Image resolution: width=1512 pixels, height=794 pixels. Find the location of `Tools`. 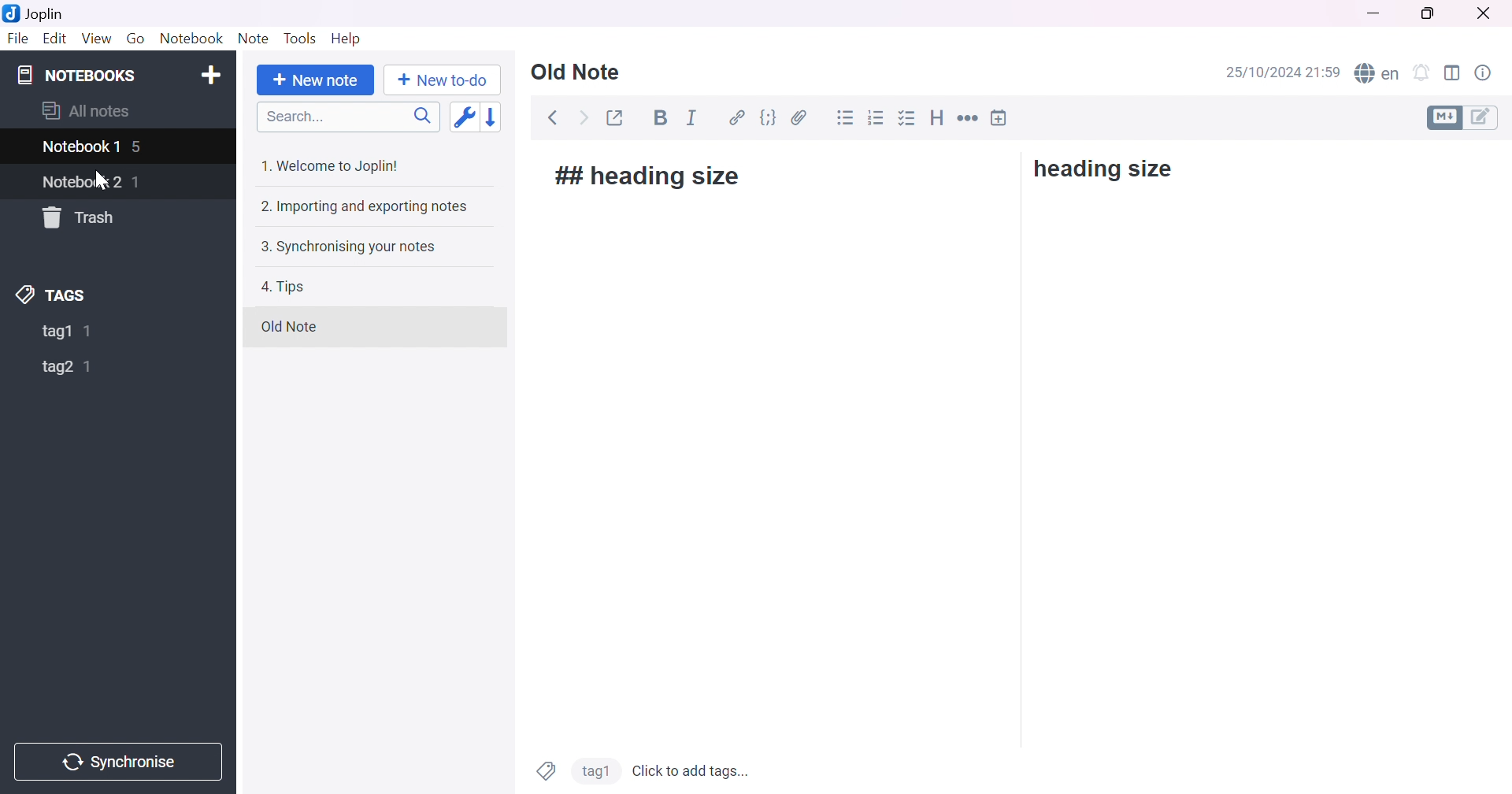

Tools is located at coordinates (298, 38).